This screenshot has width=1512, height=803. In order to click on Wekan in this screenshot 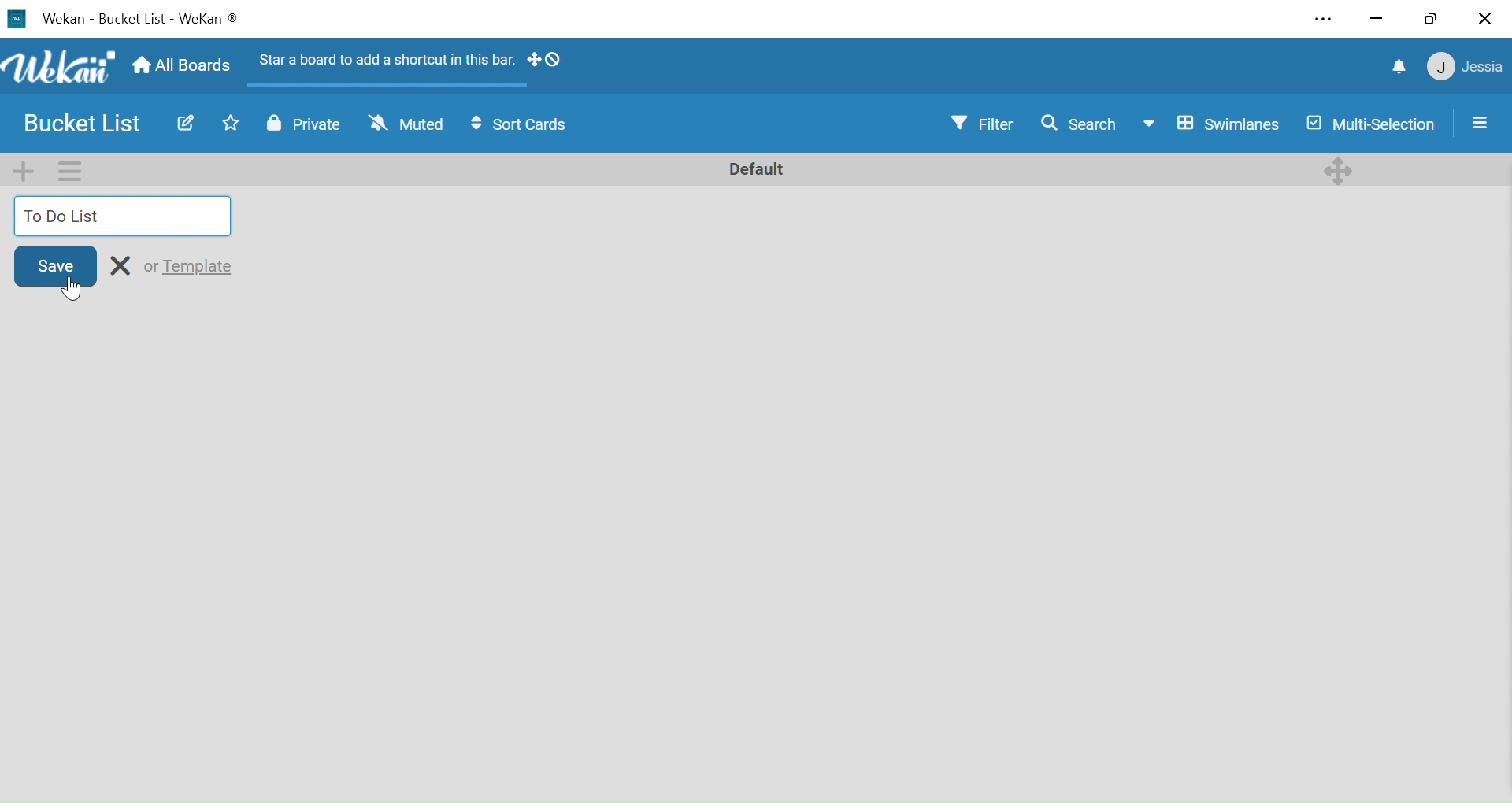, I will do `click(63, 19)`.